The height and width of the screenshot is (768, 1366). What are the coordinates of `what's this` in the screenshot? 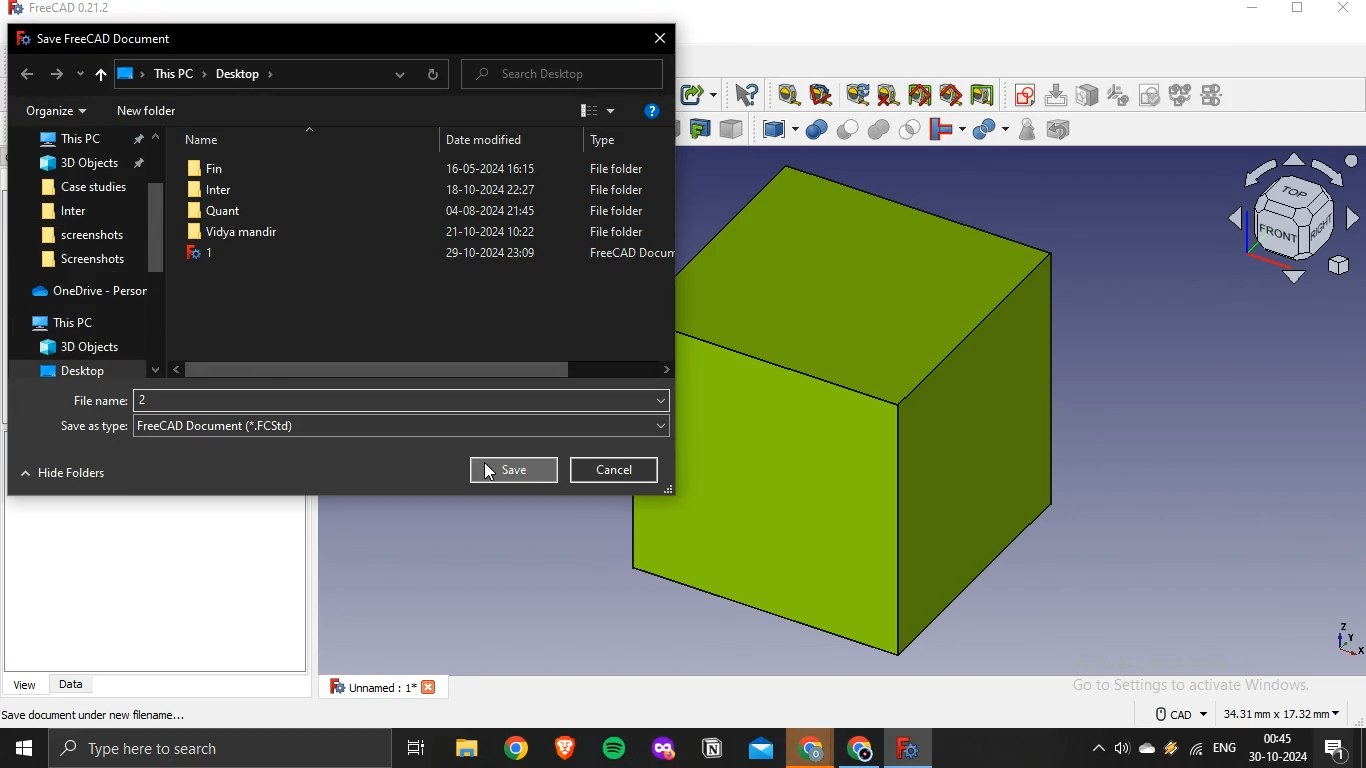 It's located at (747, 95).